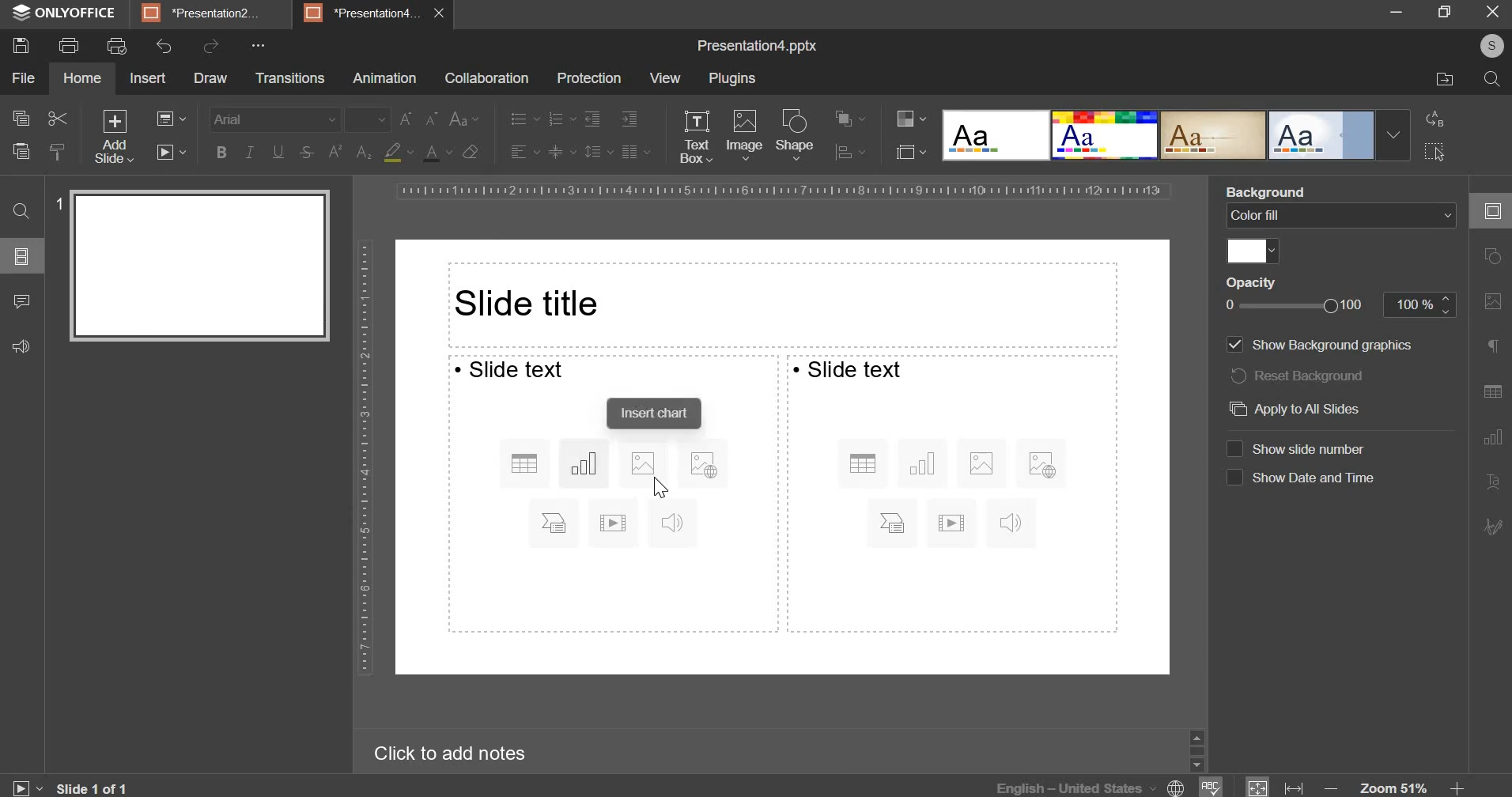 Image resolution: width=1512 pixels, height=797 pixels. I want to click on vertical scale, so click(363, 460).